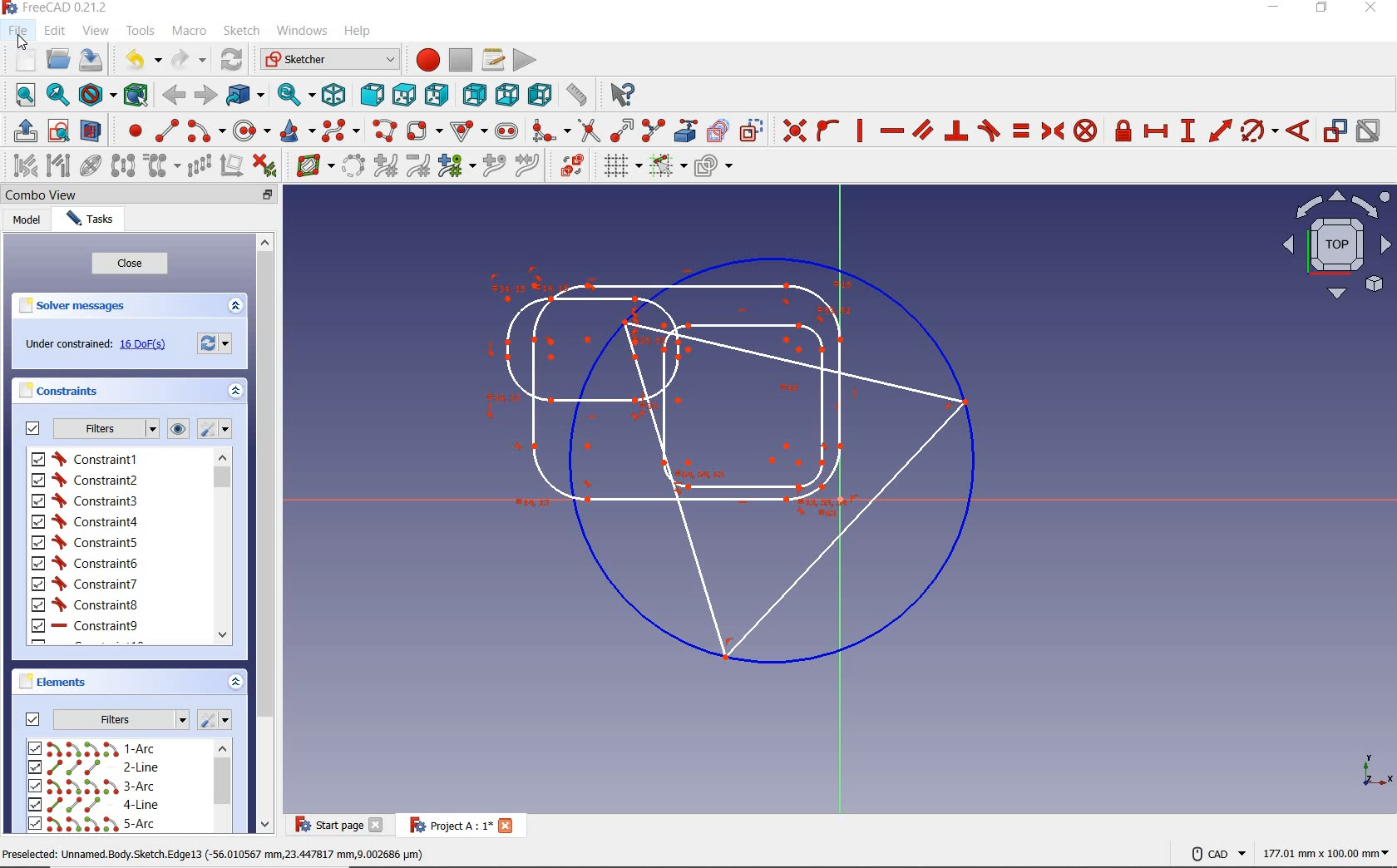 This screenshot has width=1397, height=868. Describe the element at coordinates (97, 748) in the screenshot. I see `1-arc` at that location.